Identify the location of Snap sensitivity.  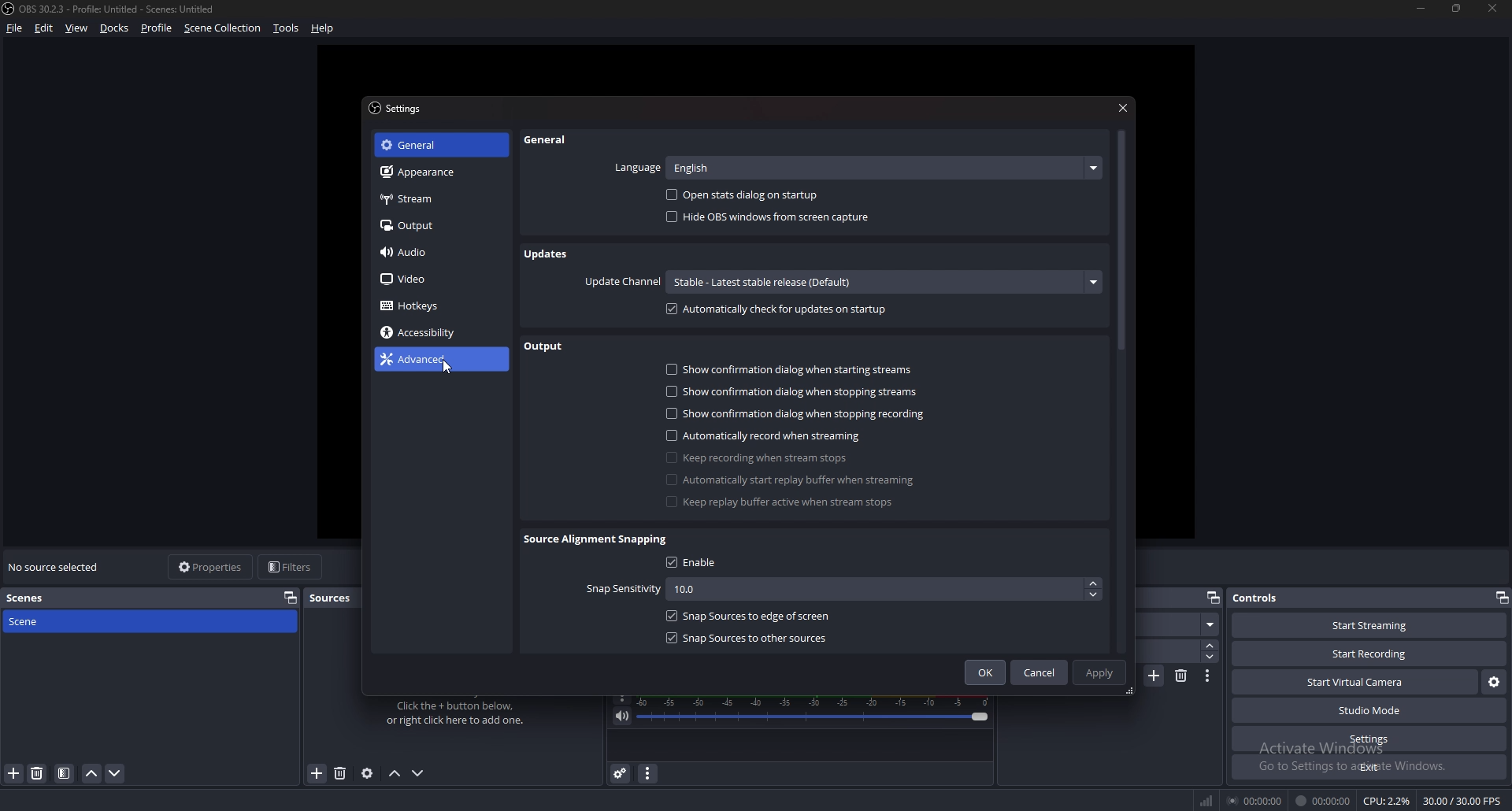
(621, 590).